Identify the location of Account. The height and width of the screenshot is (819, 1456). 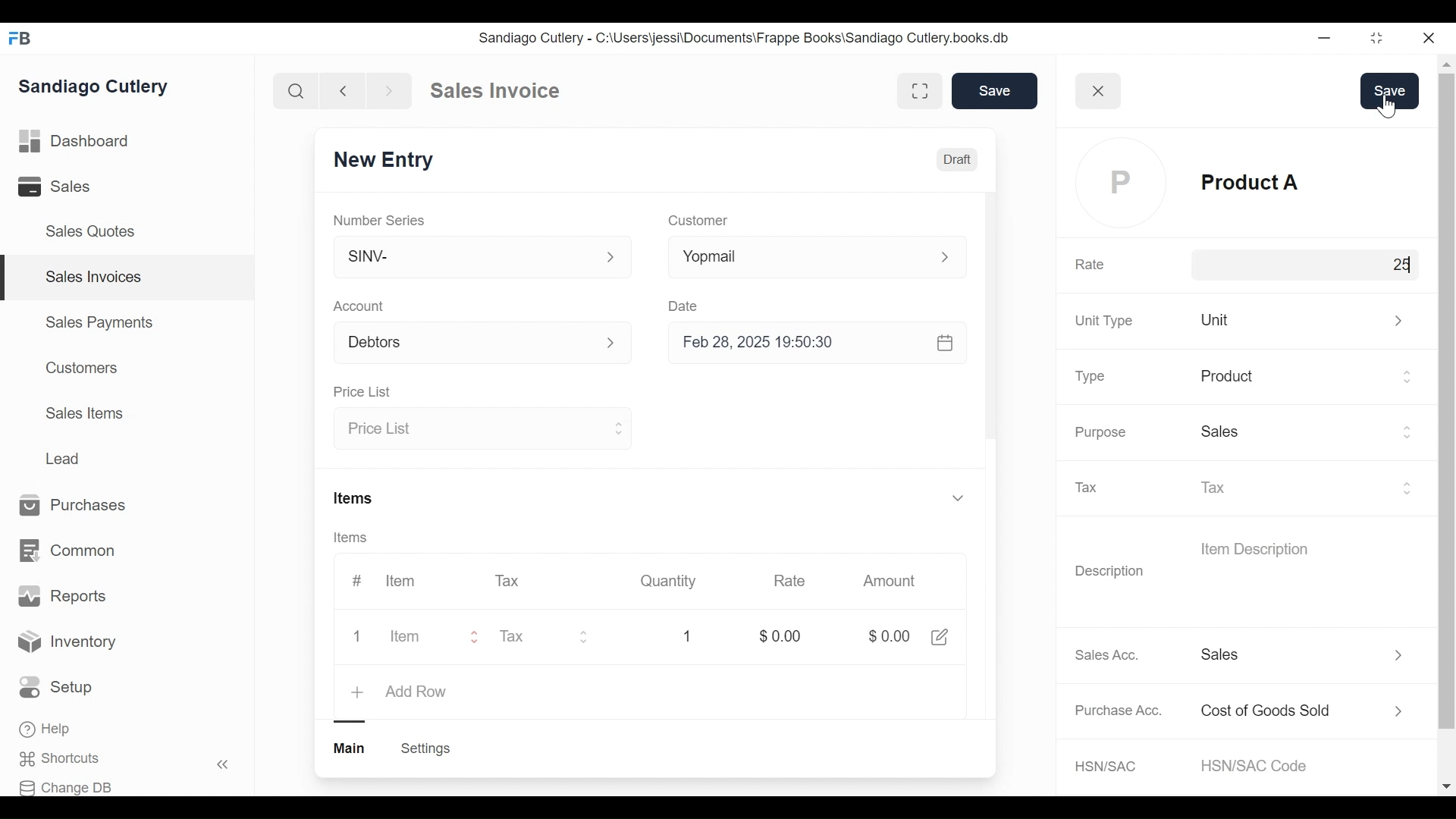
(361, 306).